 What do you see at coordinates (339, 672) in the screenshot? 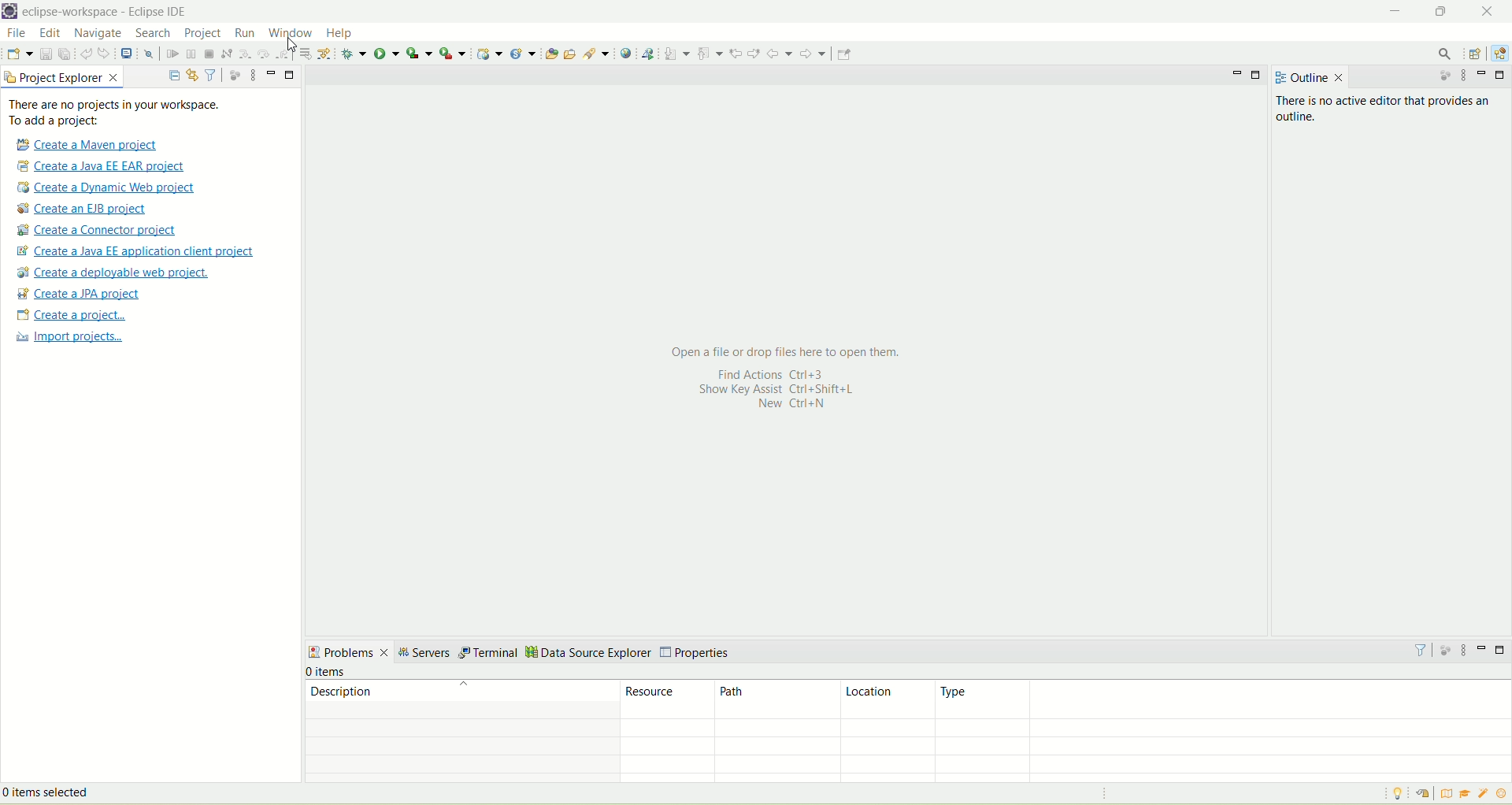
I see `number of items` at bounding box center [339, 672].